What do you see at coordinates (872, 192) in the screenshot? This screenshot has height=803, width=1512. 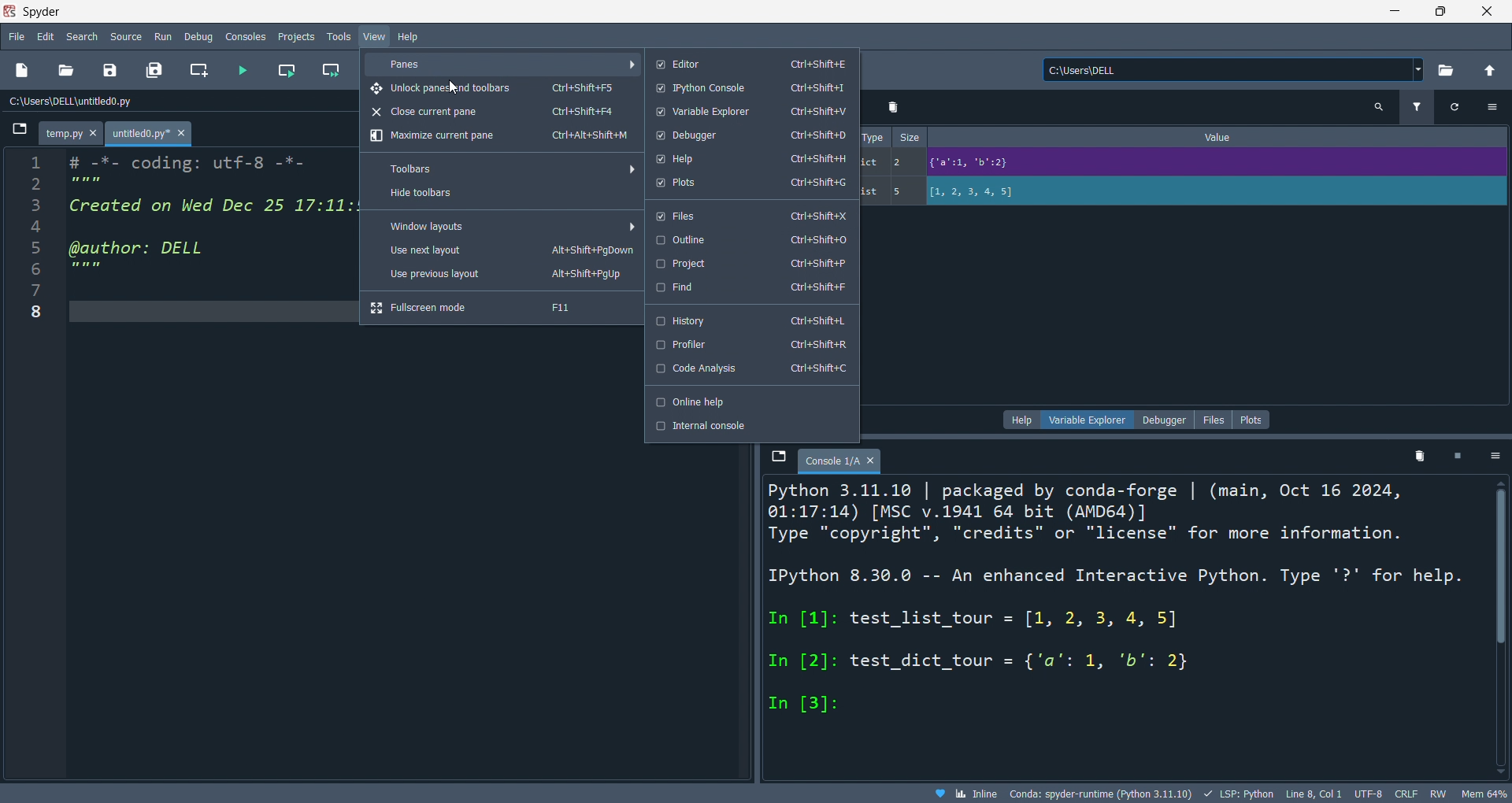 I see `list` at bounding box center [872, 192].